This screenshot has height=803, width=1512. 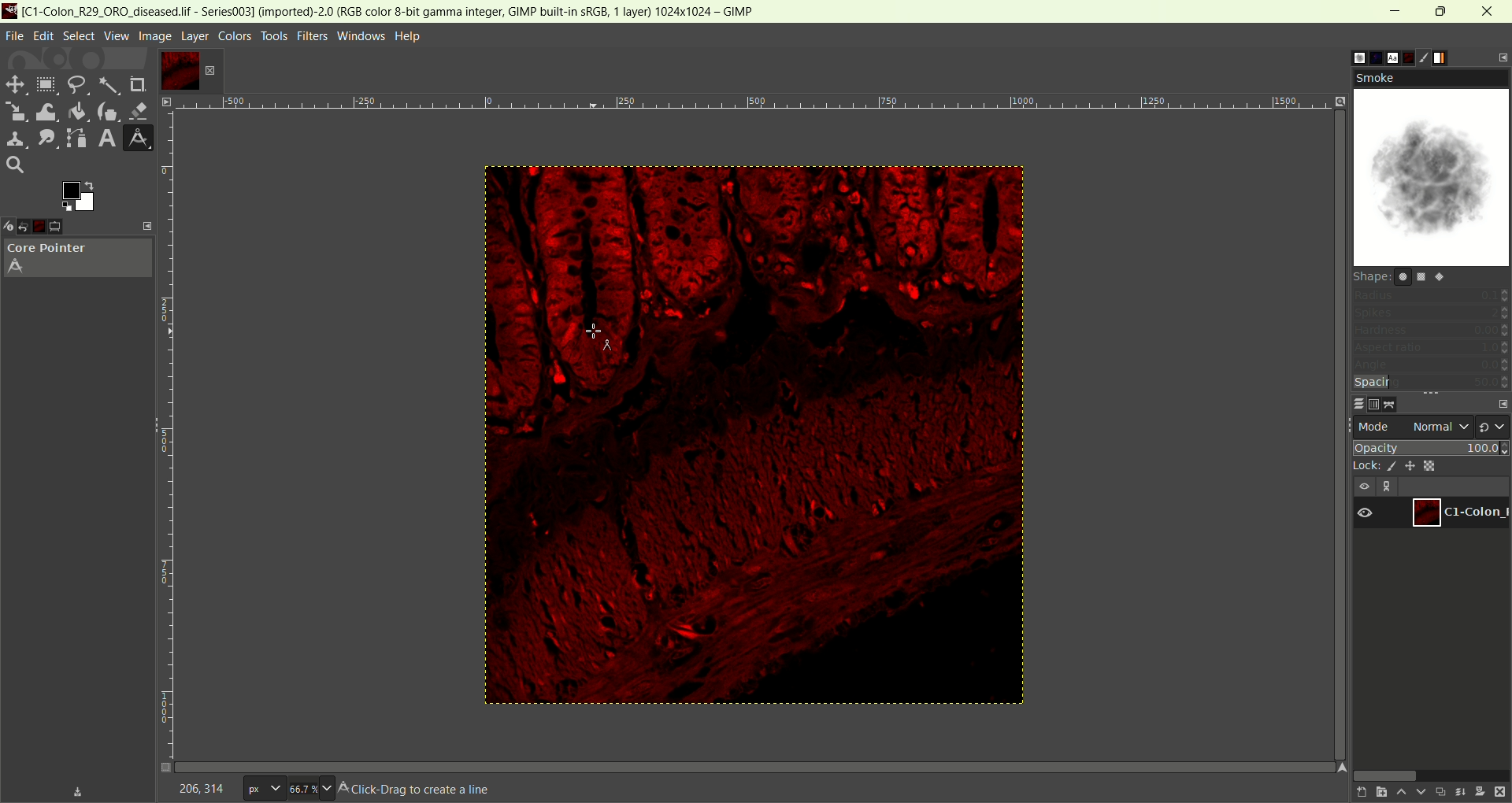 I want to click on horizontal scroll bar, so click(x=1429, y=774).